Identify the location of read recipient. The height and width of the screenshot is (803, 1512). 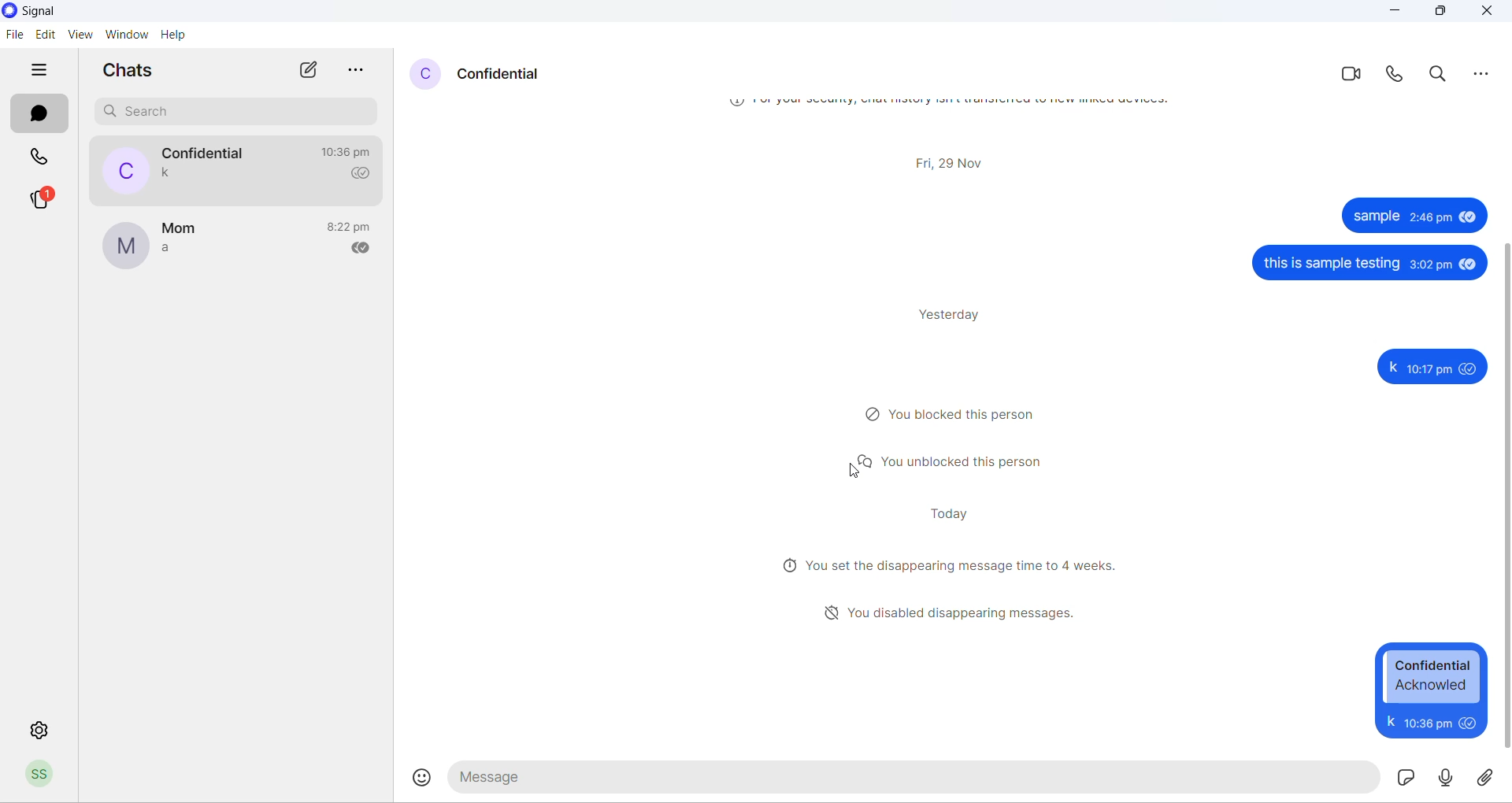
(365, 175).